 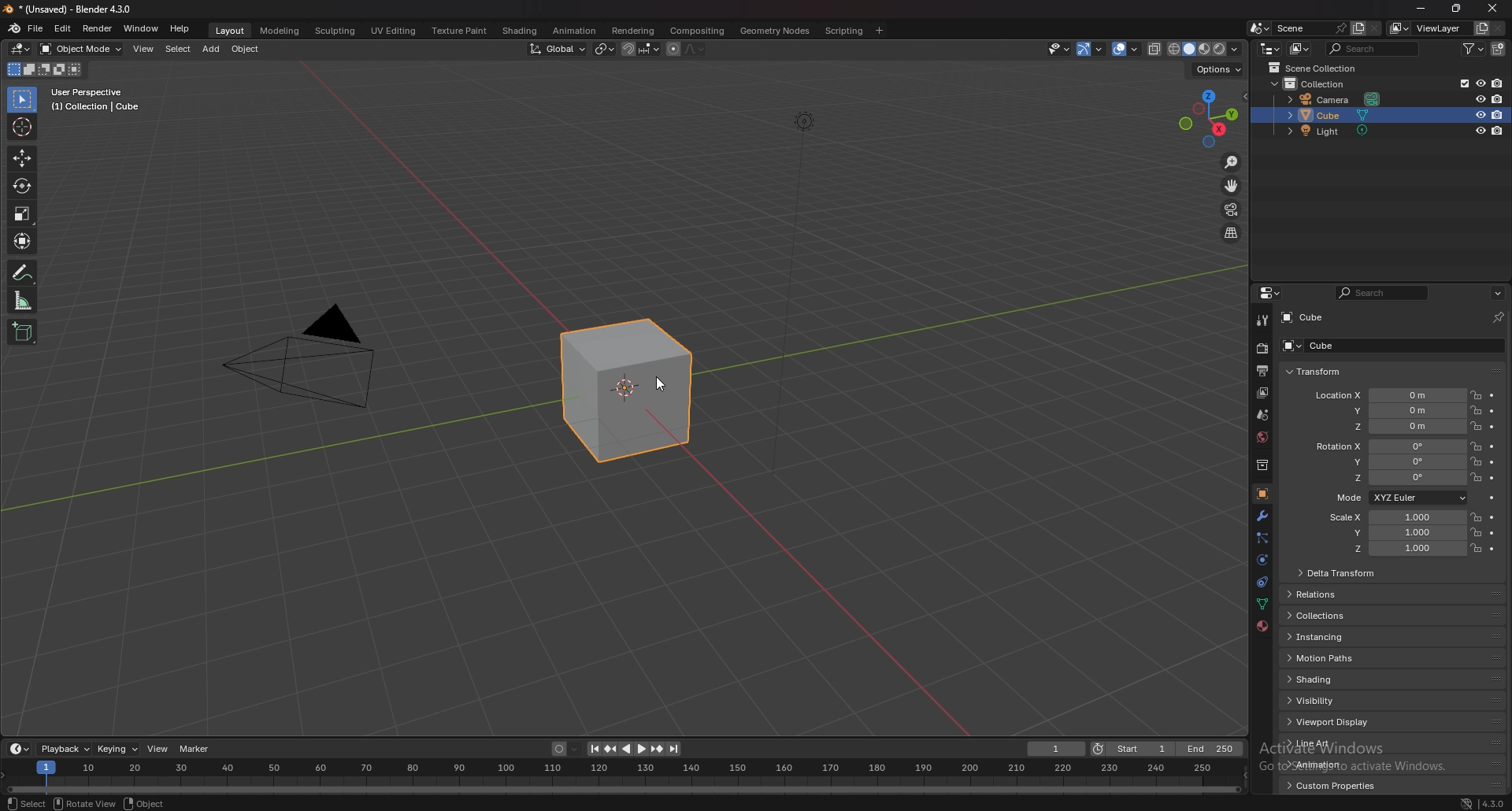 What do you see at coordinates (1389, 410) in the screenshot?
I see `location y` at bounding box center [1389, 410].